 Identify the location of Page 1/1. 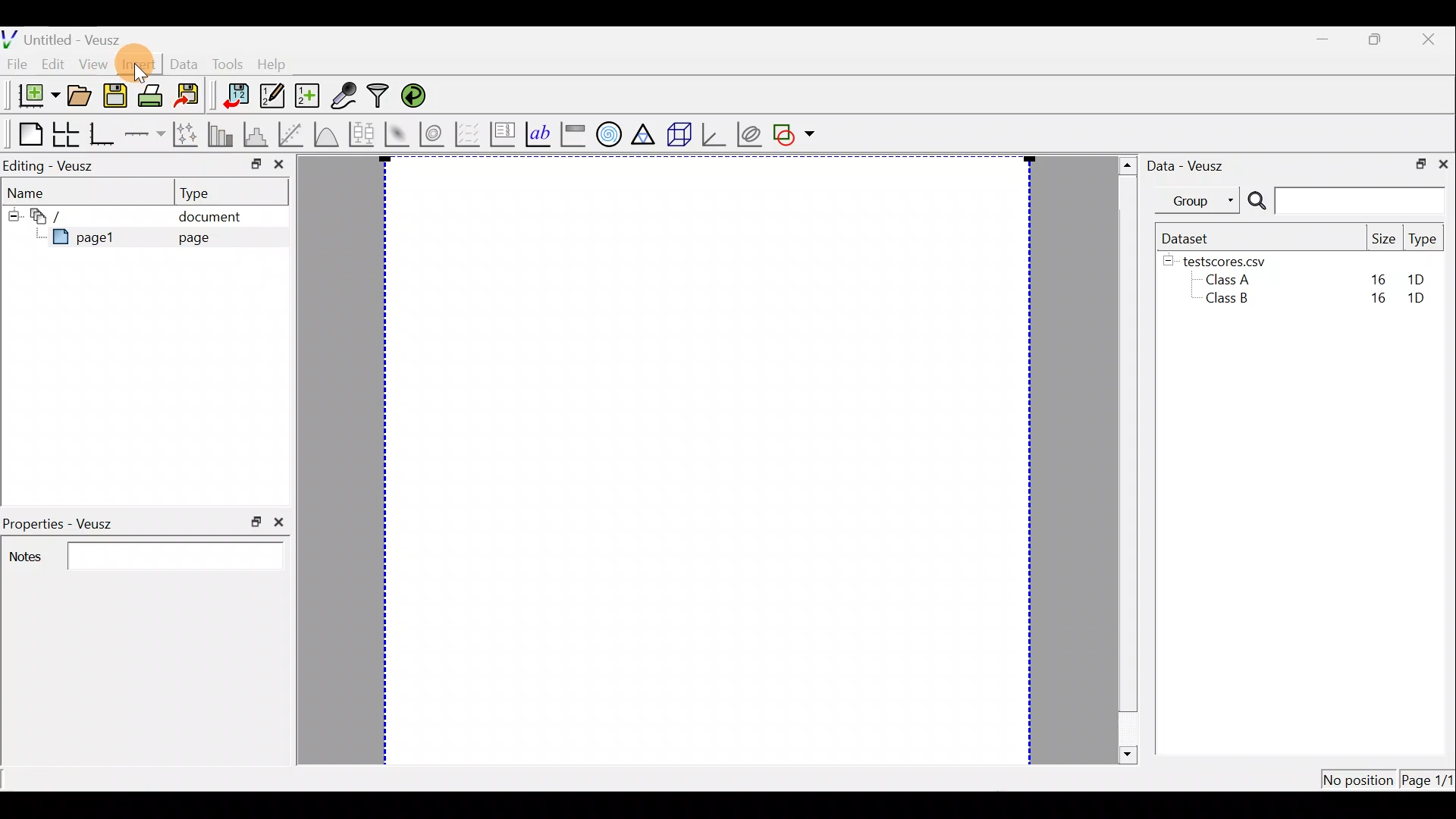
(1429, 780).